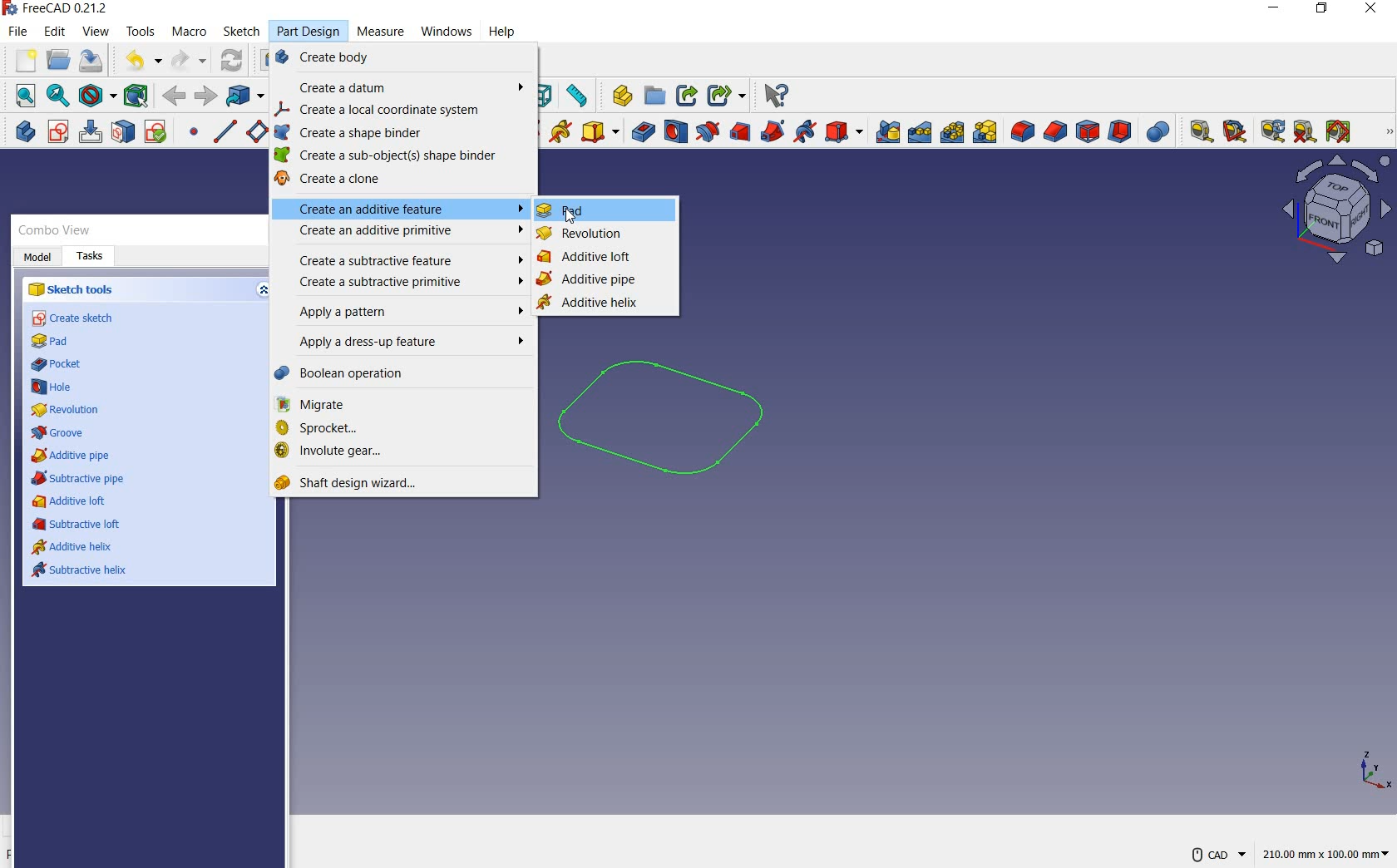 This screenshot has width=1397, height=868. I want to click on migrate, so click(405, 405).